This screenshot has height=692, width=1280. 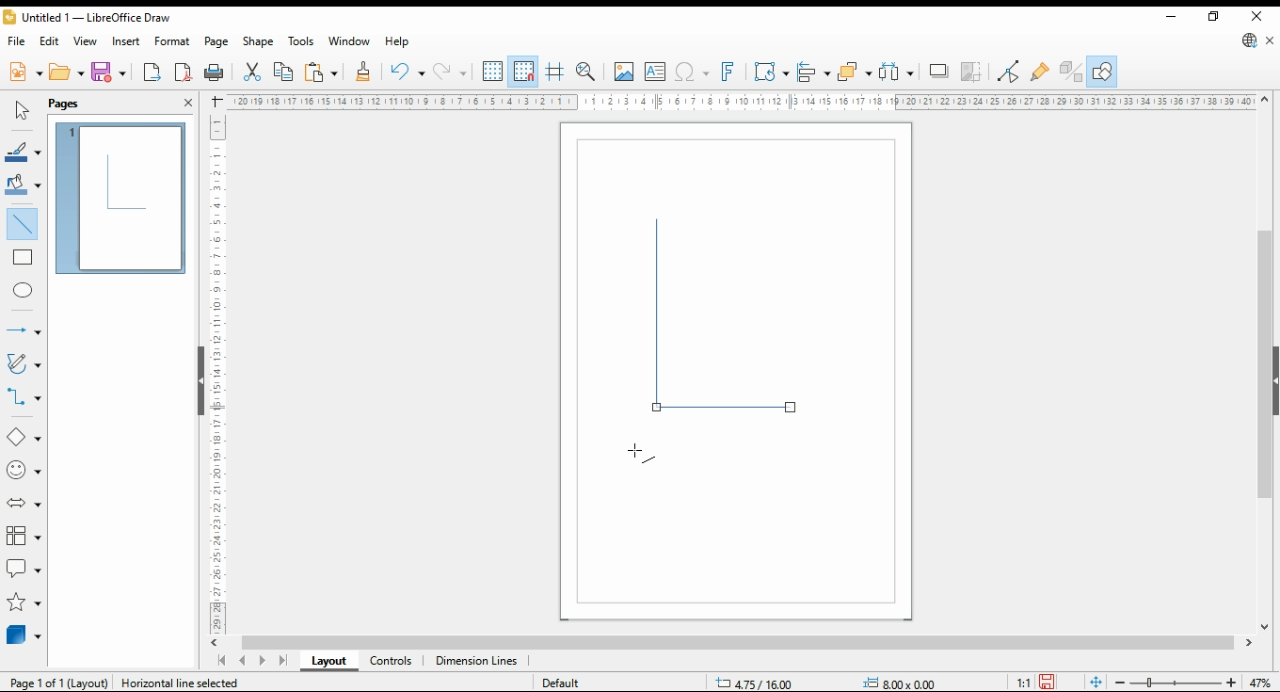 I want to click on callout shapes, so click(x=24, y=568).